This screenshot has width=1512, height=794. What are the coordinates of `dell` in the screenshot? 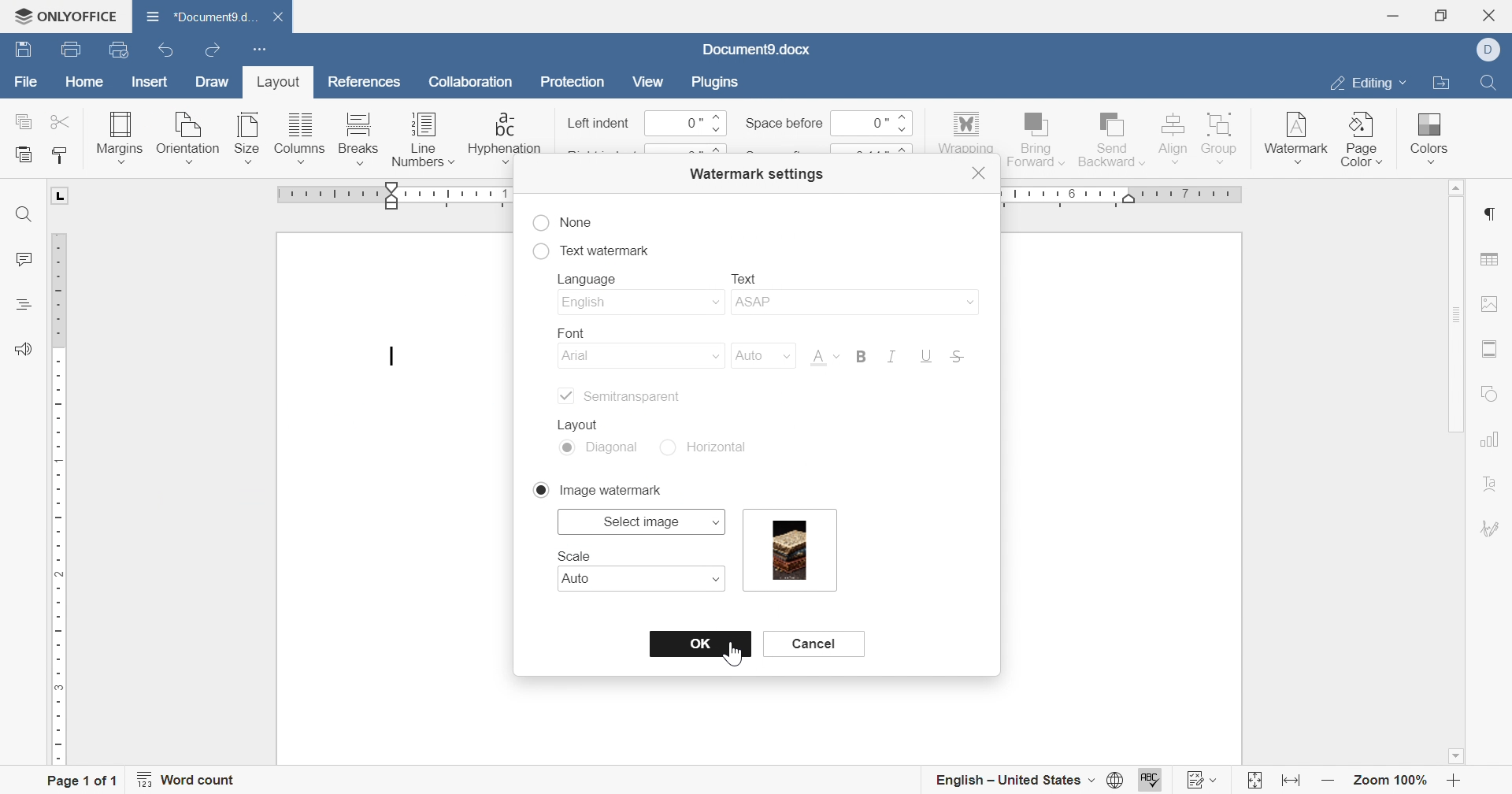 It's located at (1494, 50).